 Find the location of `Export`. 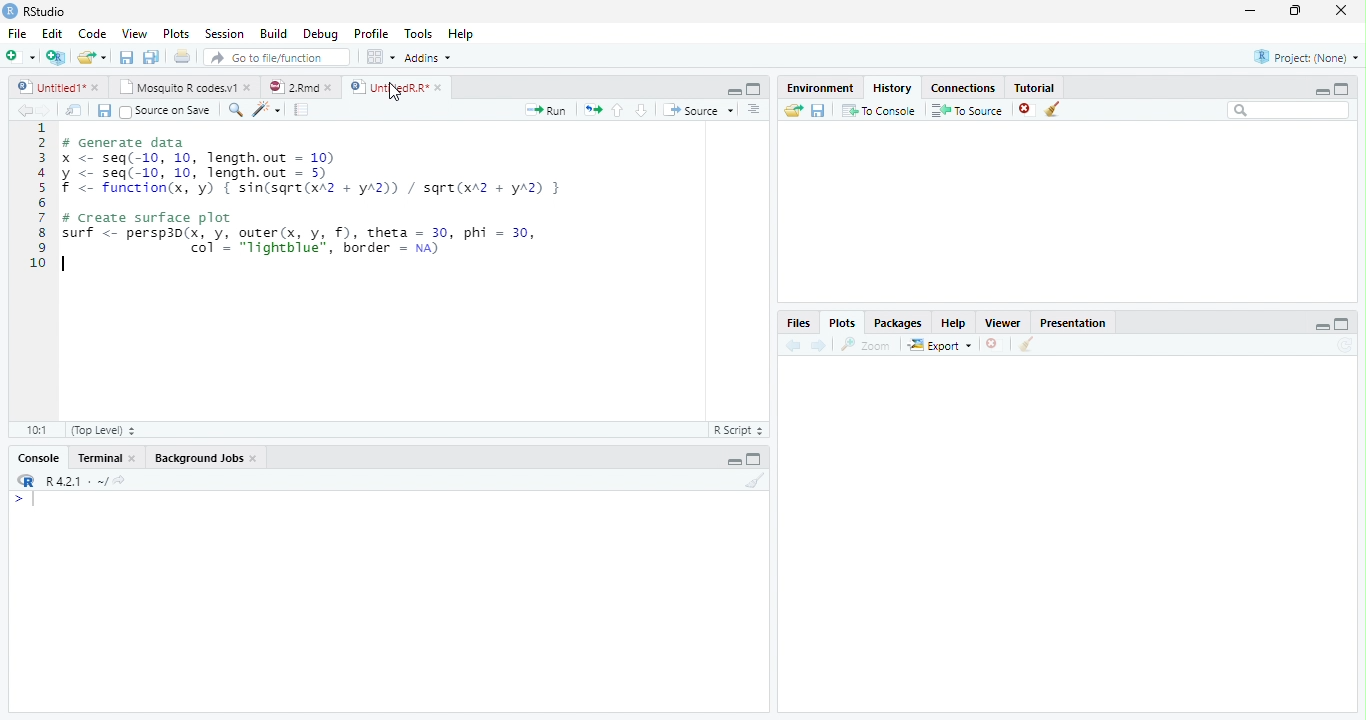

Export is located at coordinates (940, 345).